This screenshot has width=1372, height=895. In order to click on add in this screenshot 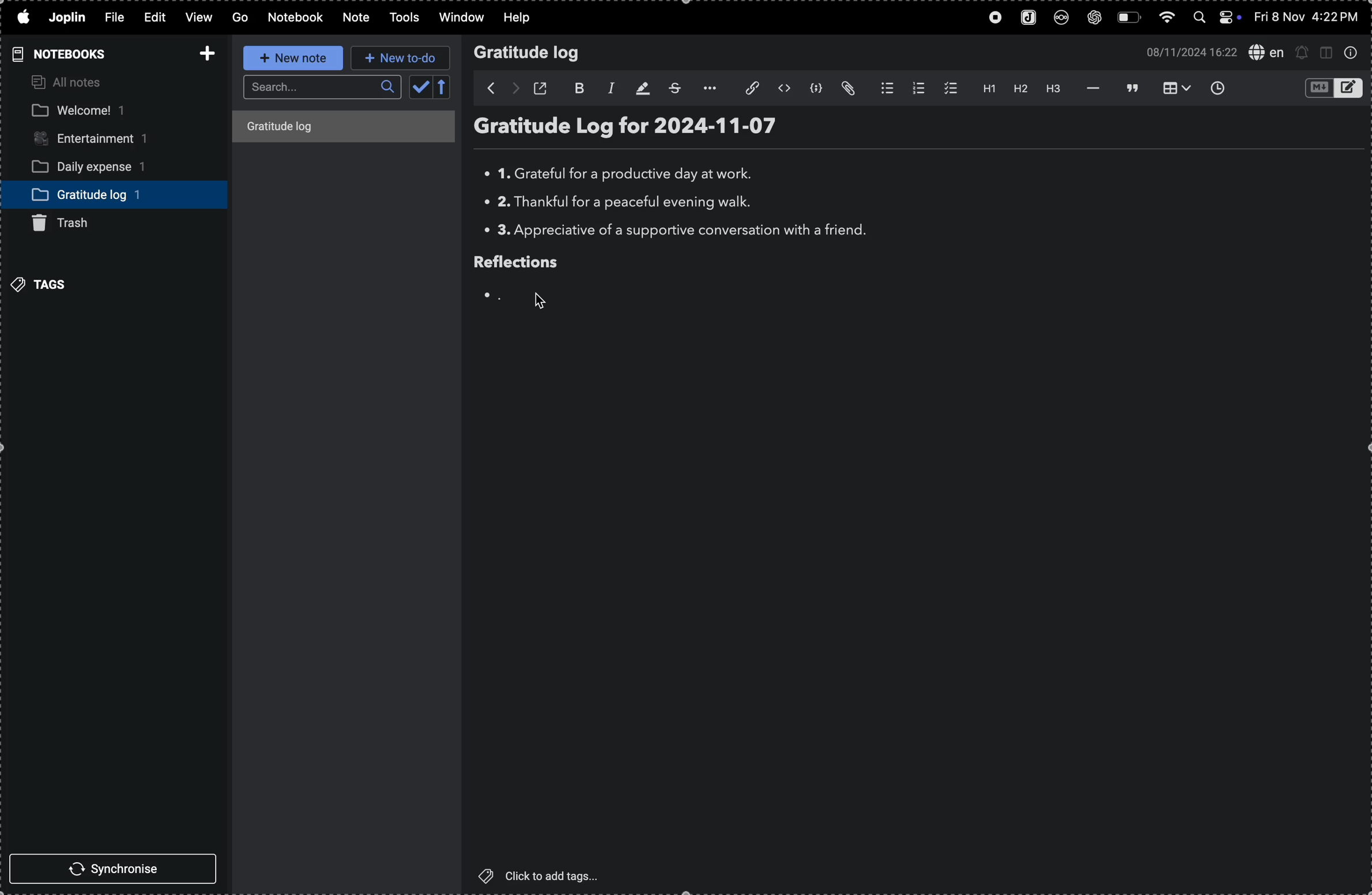, I will do `click(203, 54)`.